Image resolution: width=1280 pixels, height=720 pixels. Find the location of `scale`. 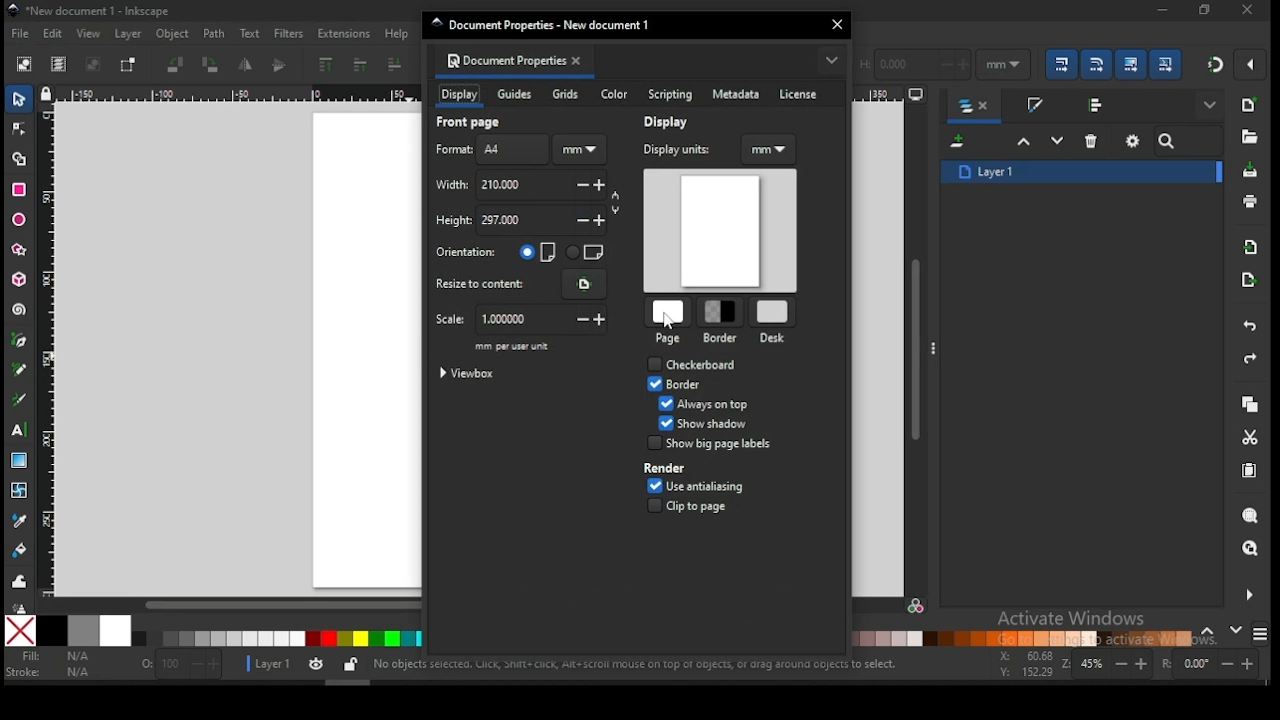

scale is located at coordinates (517, 320).